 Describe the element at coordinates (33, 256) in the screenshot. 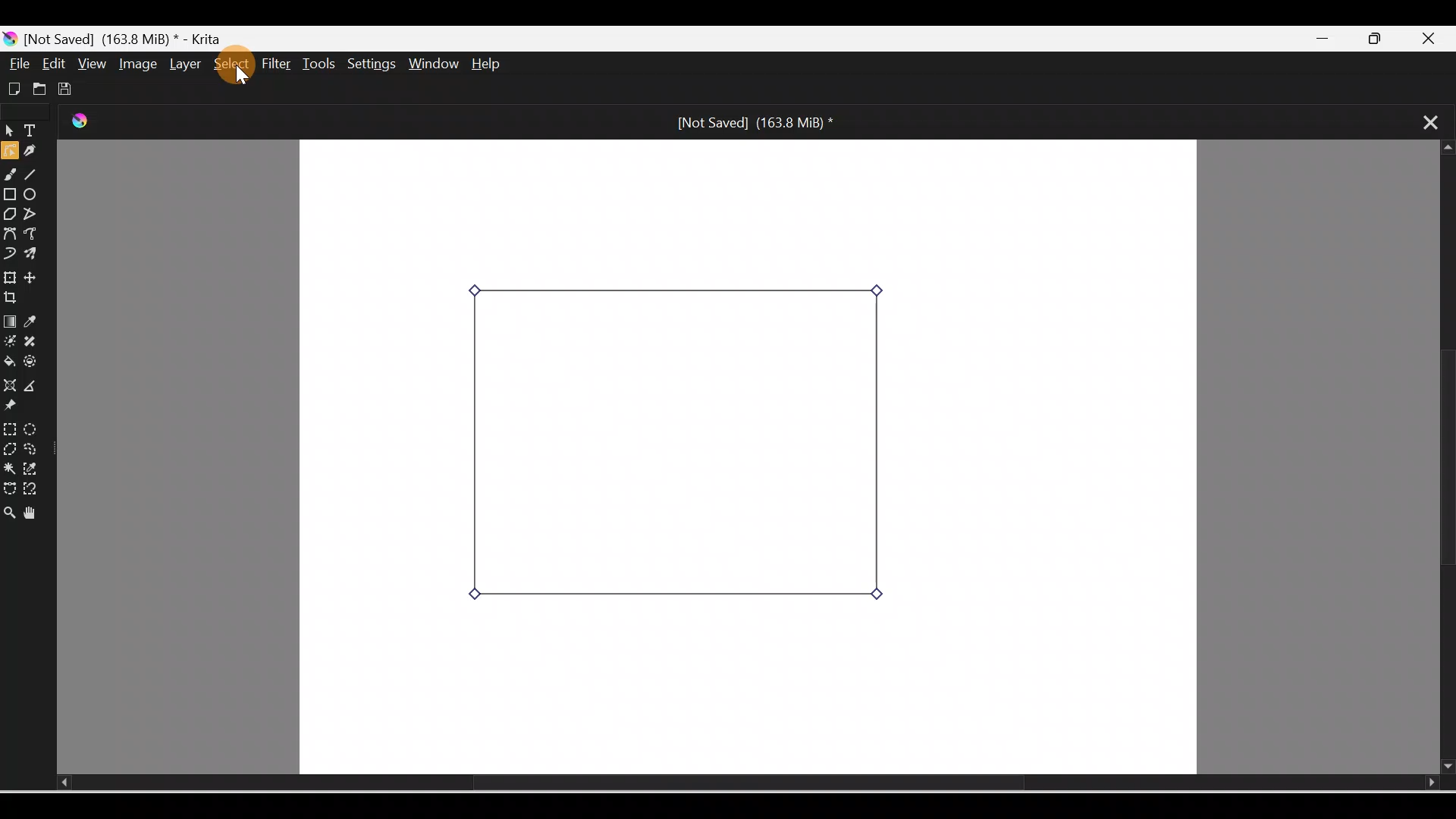

I see `Multibrush tool` at that location.